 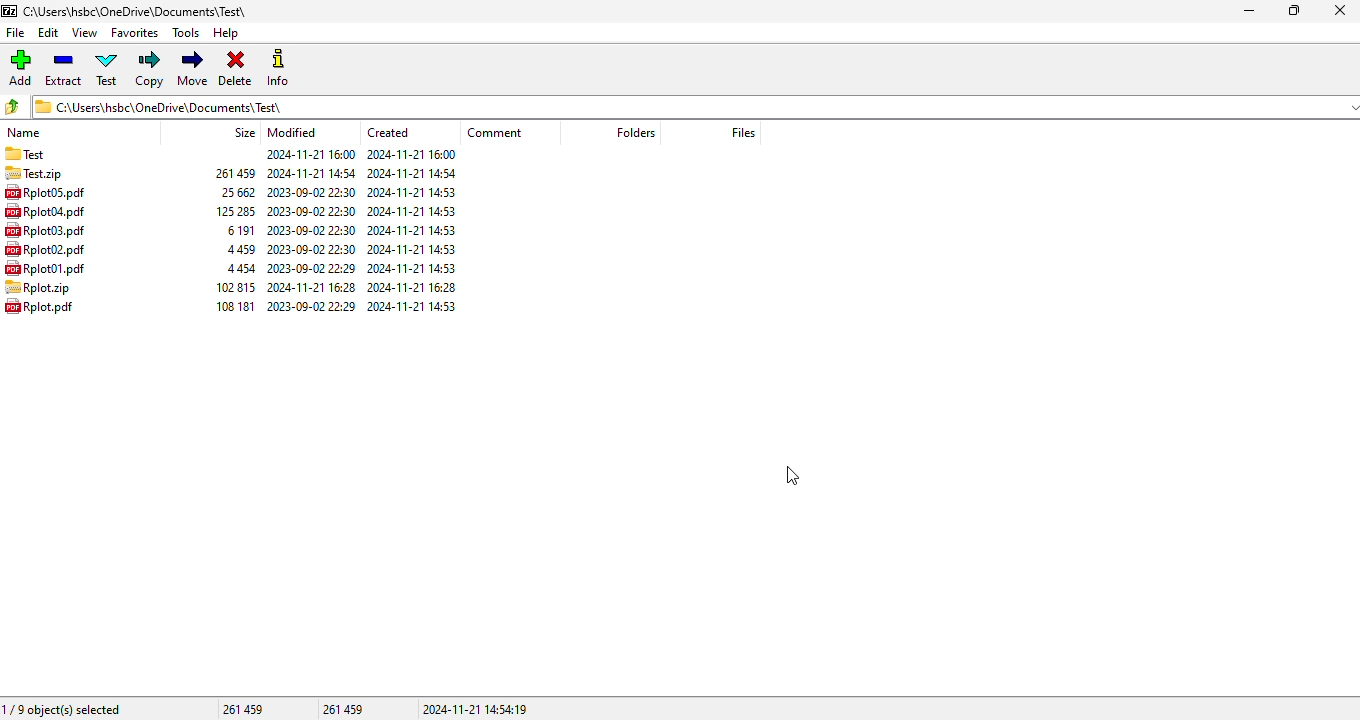 I want to click on modified date & time, so click(x=311, y=192).